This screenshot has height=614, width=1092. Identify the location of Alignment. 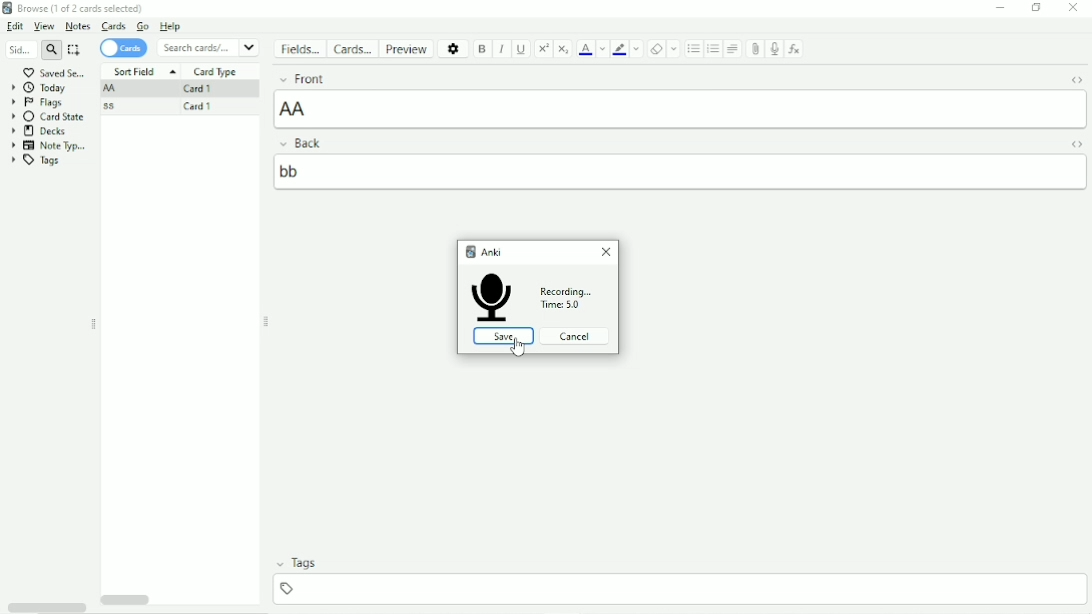
(734, 49).